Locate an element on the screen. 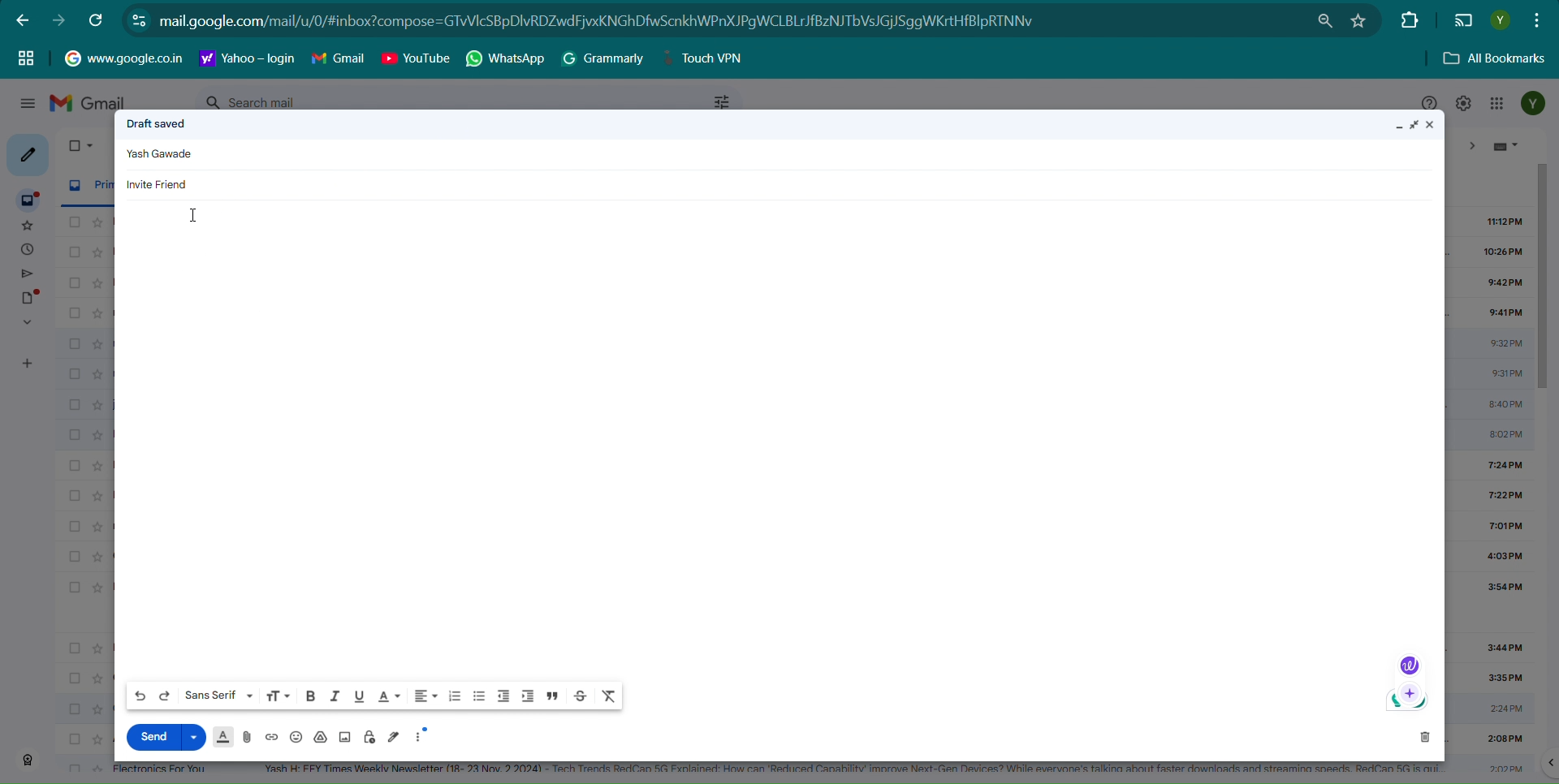  Refresh is located at coordinates (97, 19).